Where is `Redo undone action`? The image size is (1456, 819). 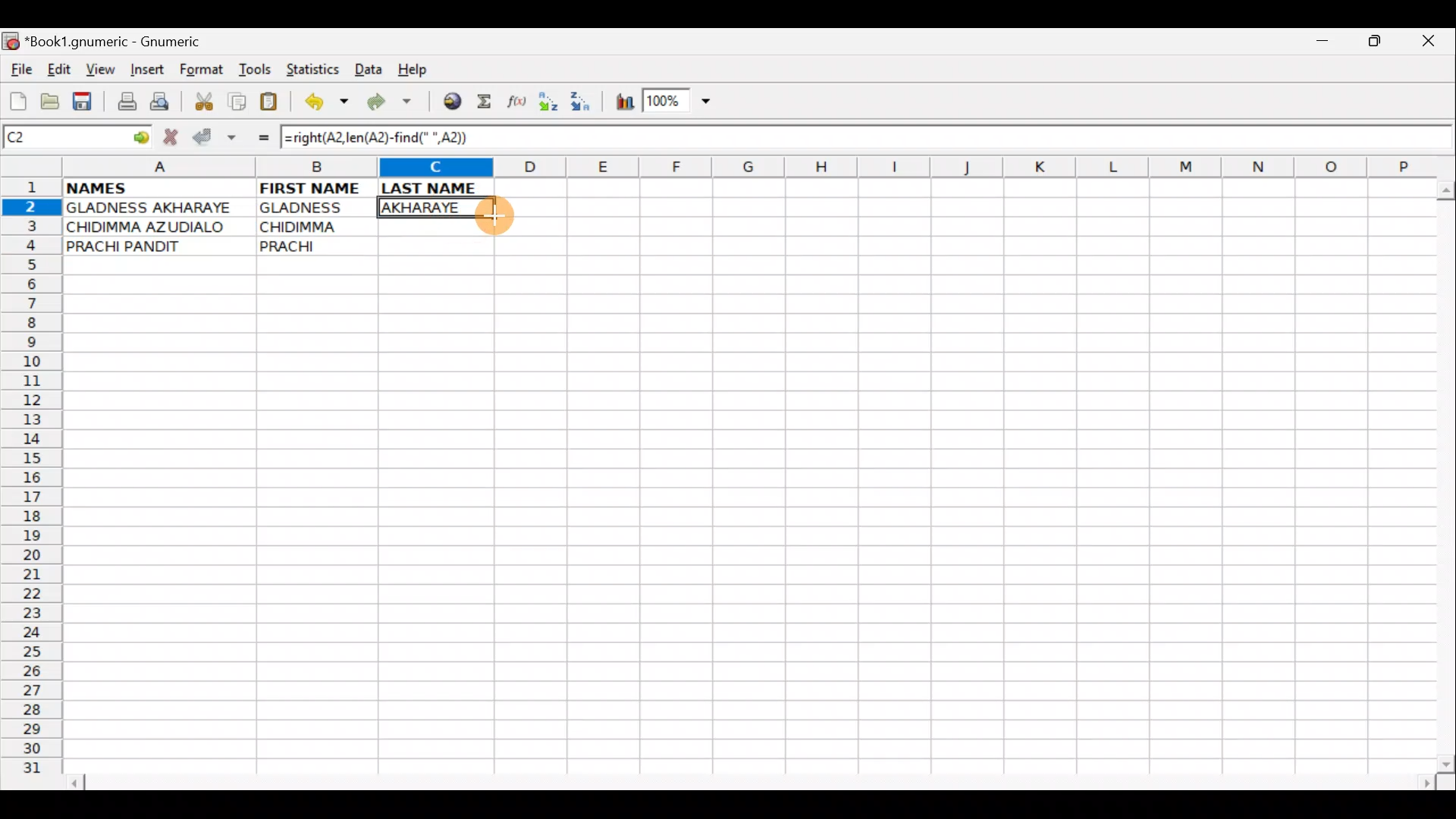 Redo undone action is located at coordinates (393, 104).